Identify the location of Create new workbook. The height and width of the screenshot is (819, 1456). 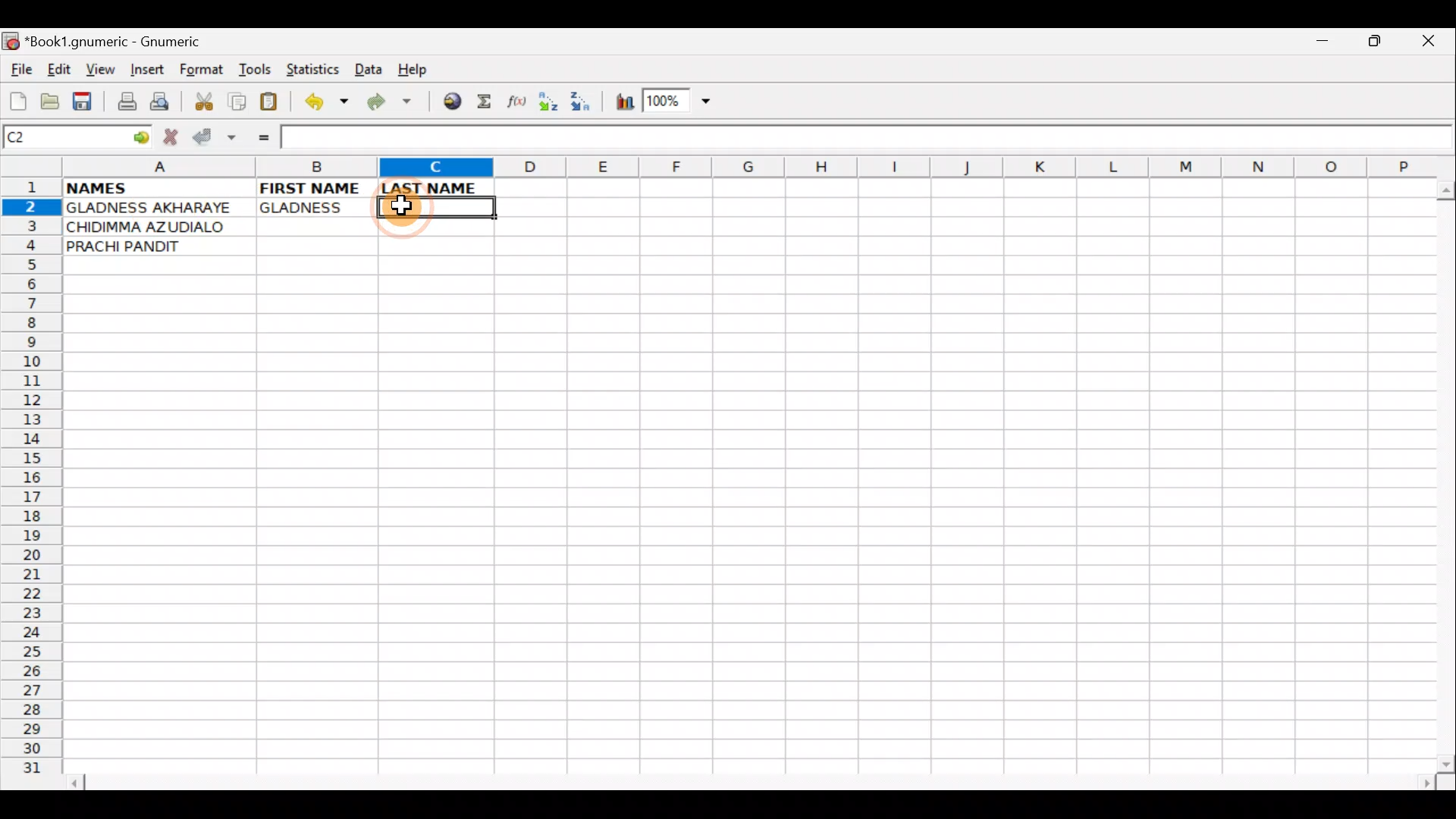
(17, 99).